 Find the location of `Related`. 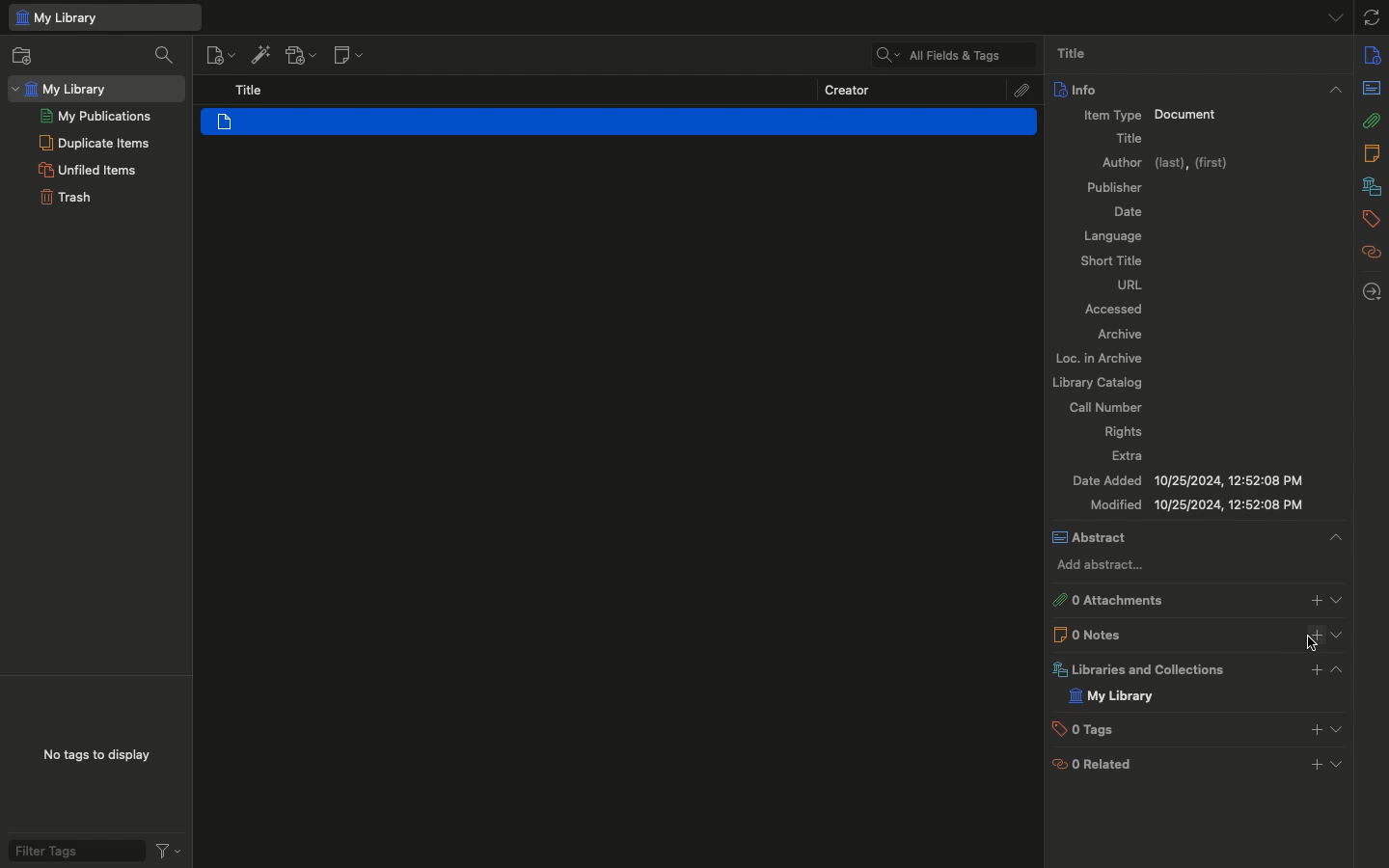

Related is located at coordinates (1088, 764).